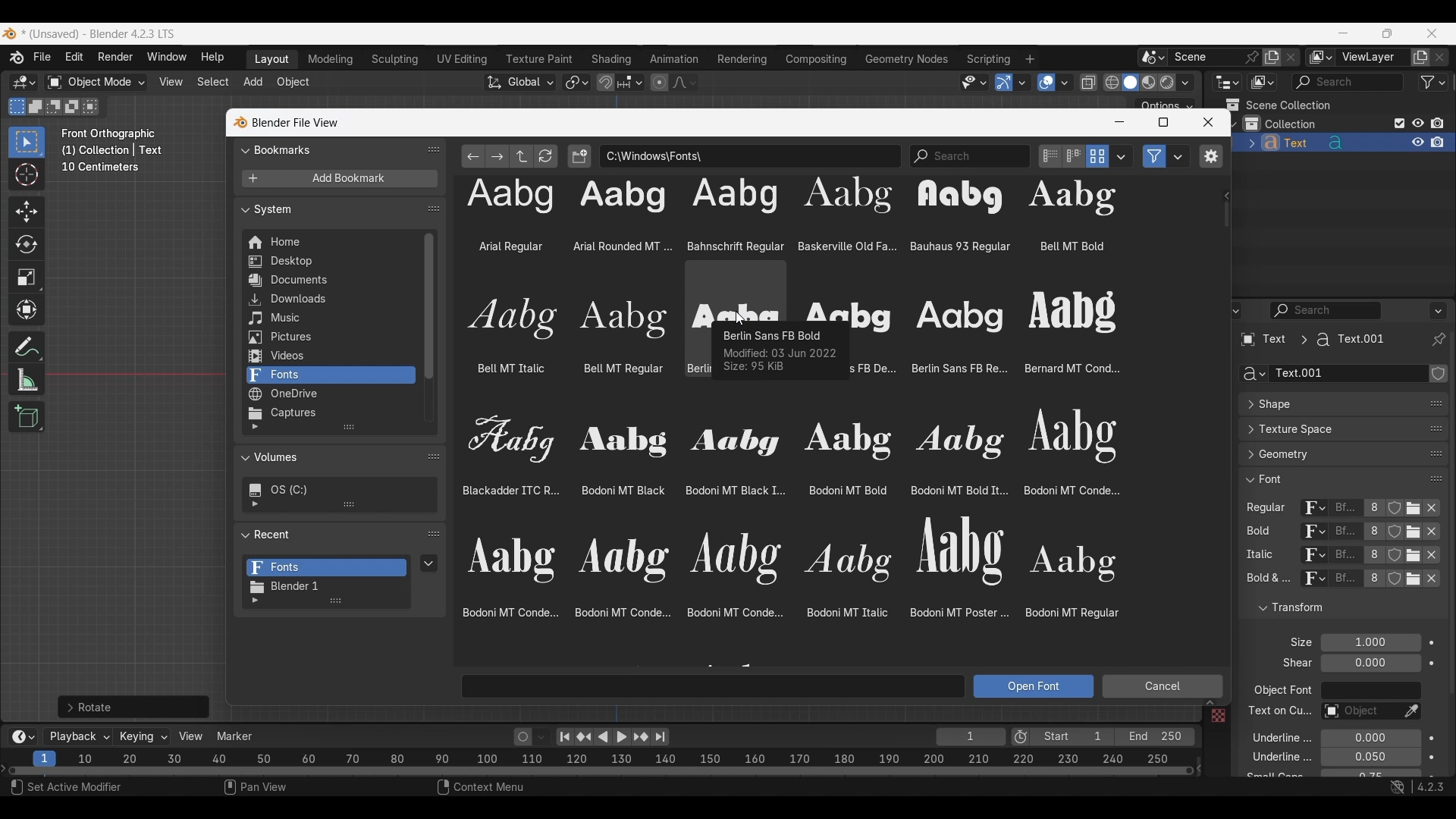 Image resolution: width=1456 pixels, height=819 pixels. Describe the element at coordinates (1046, 83) in the screenshot. I see `Show overlay` at that location.